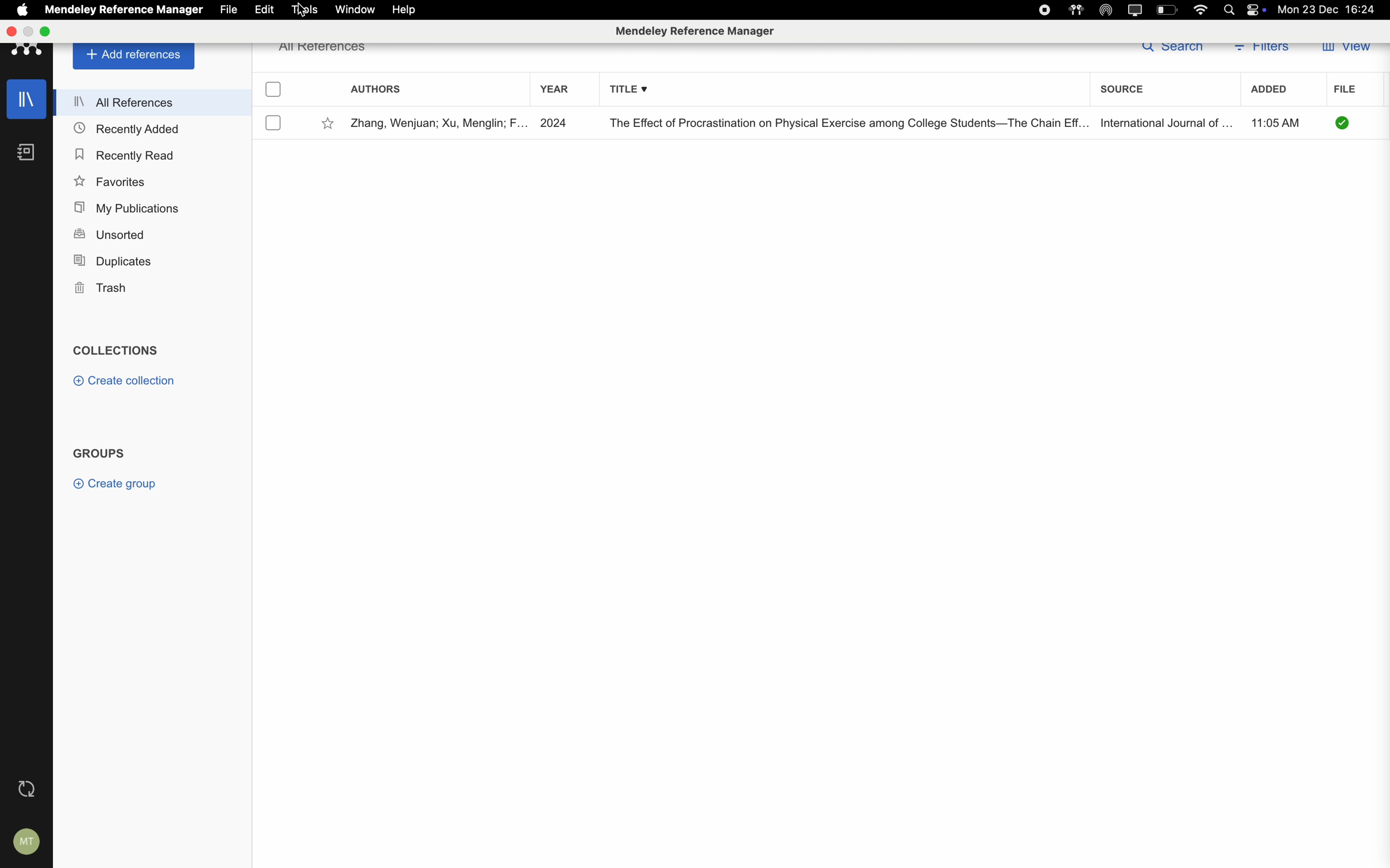 The height and width of the screenshot is (868, 1390). Describe the element at coordinates (129, 206) in the screenshot. I see `my publications` at that location.